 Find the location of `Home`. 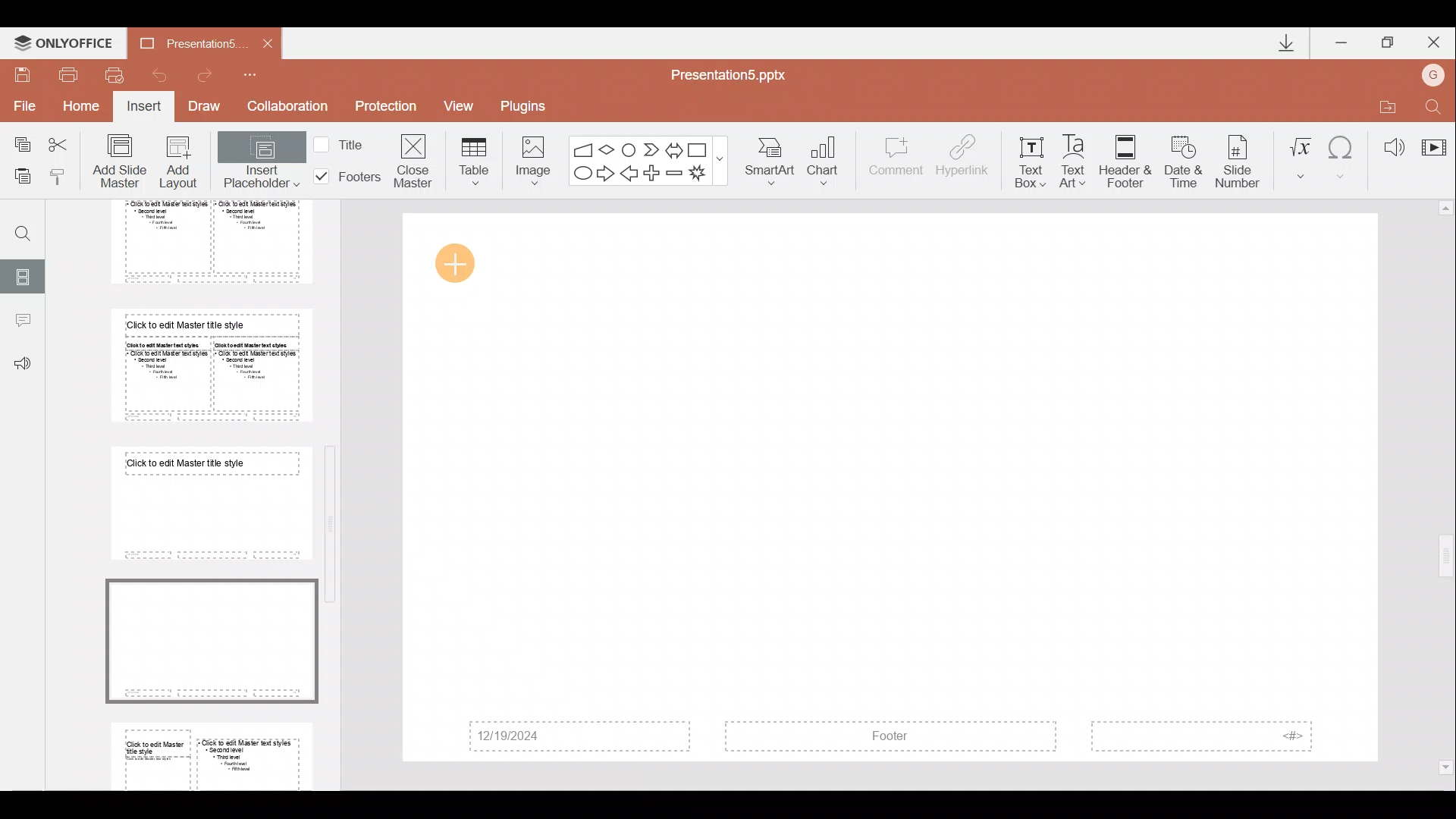

Home is located at coordinates (83, 110).